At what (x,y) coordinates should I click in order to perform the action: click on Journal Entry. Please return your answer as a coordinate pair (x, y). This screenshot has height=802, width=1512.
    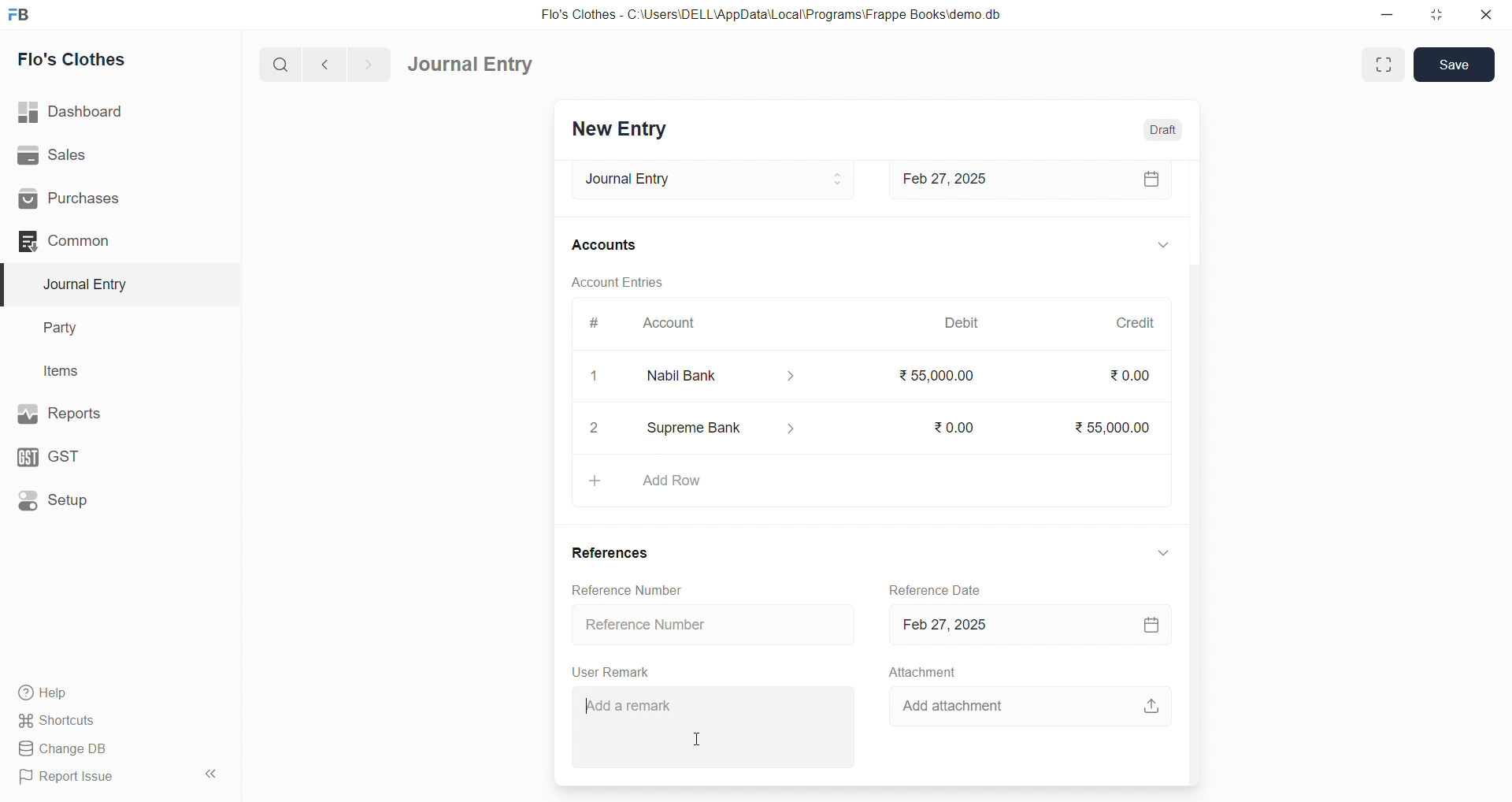
    Looking at the image, I should click on (708, 180).